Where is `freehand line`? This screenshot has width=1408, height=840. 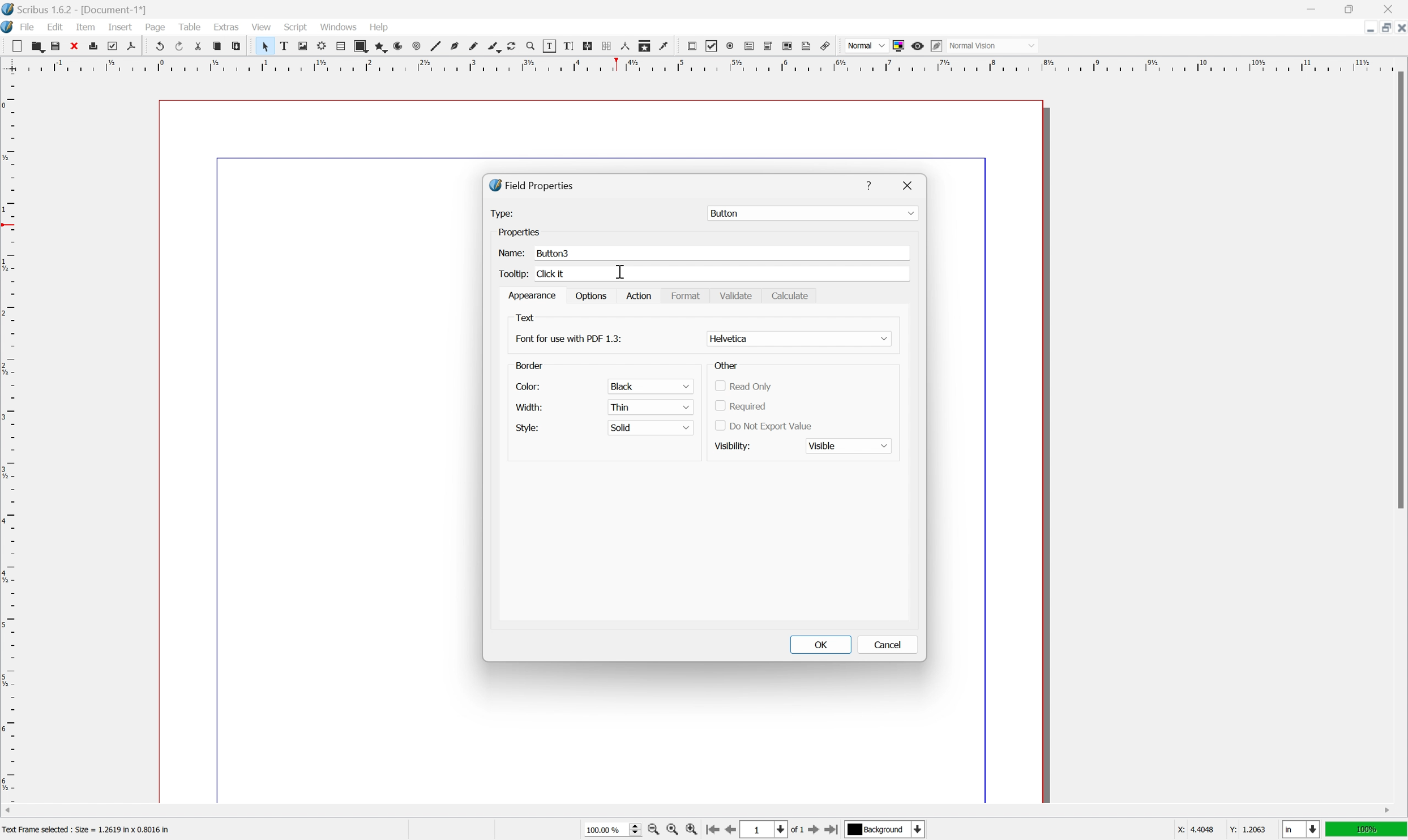 freehand line is located at coordinates (473, 46).